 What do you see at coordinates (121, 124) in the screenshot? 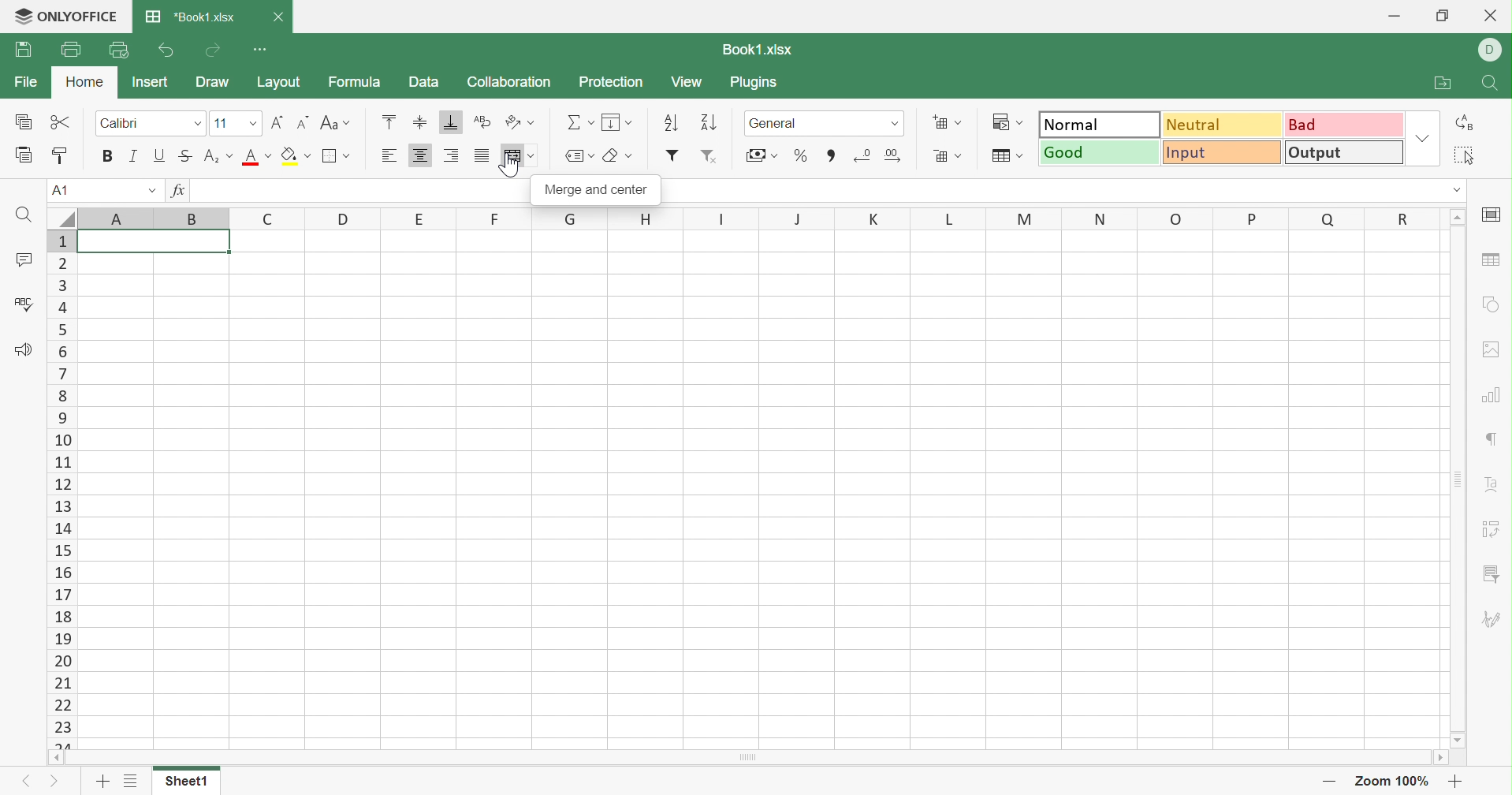
I see `Font` at bounding box center [121, 124].